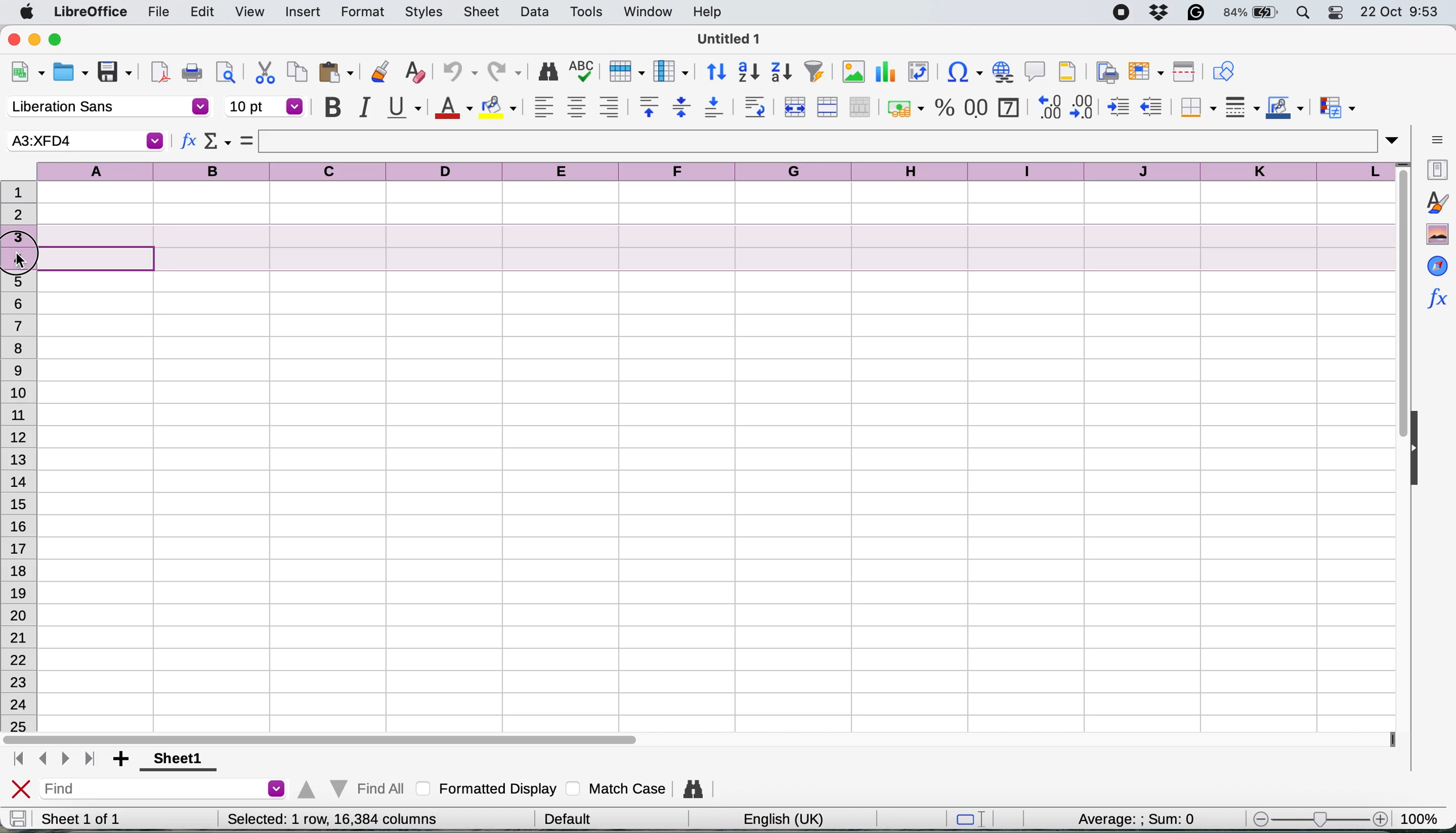 The width and height of the screenshot is (1456, 833). I want to click on align left, so click(544, 106).